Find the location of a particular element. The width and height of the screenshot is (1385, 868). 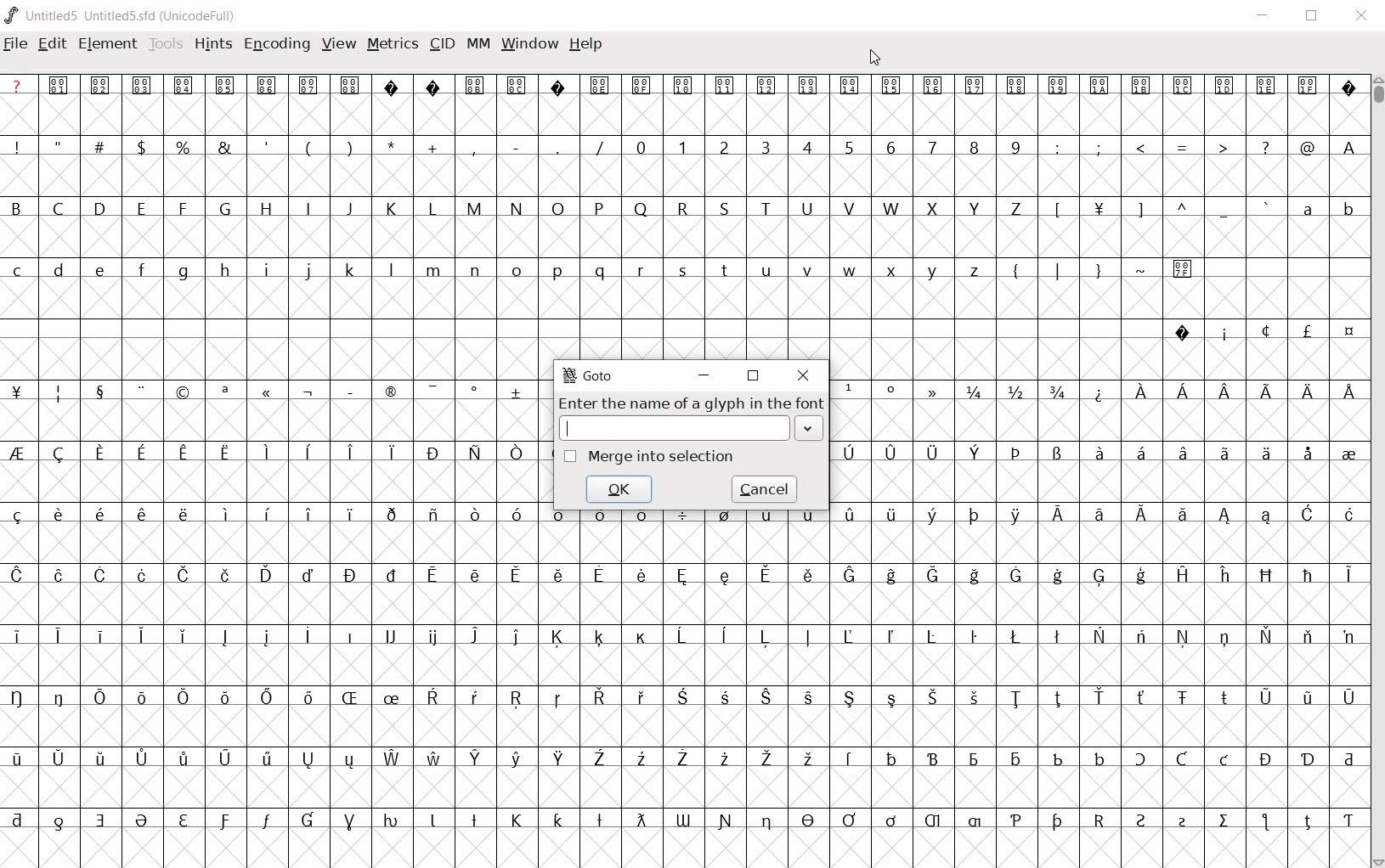

Symbol is located at coordinates (891, 518).